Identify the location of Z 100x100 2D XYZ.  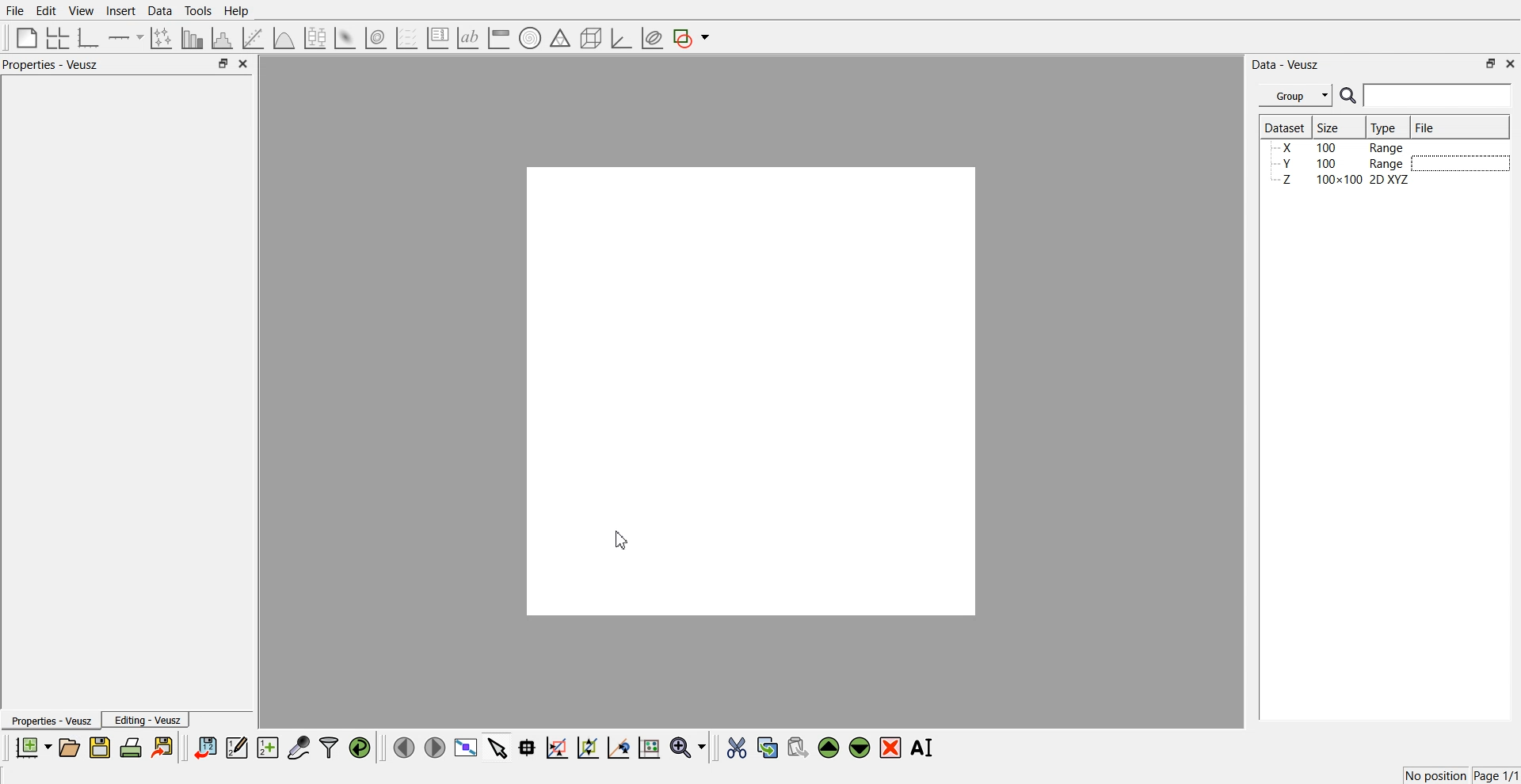
(1343, 180).